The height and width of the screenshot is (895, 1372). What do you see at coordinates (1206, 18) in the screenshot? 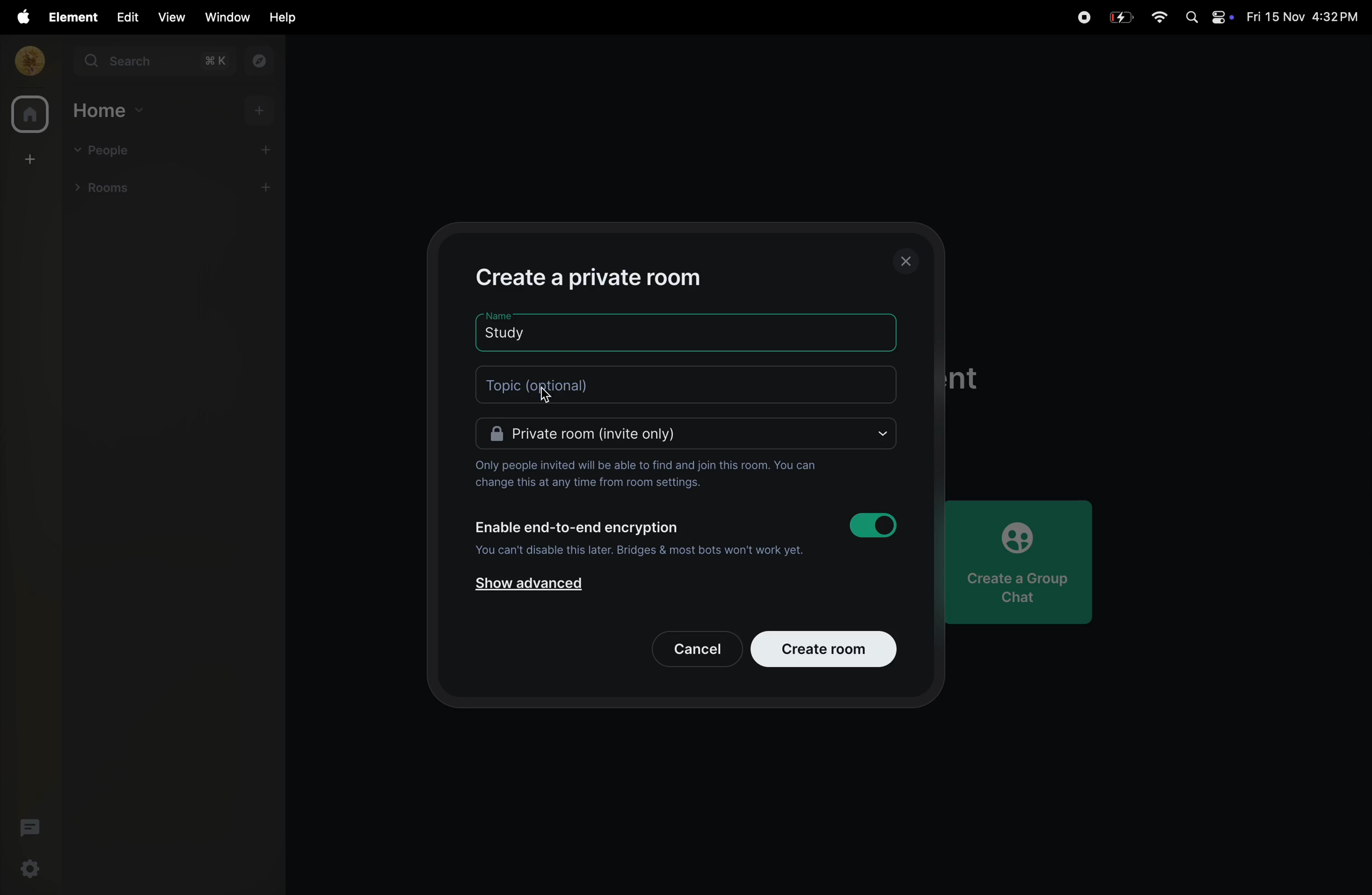
I see `apple widgets` at bounding box center [1206, 18].